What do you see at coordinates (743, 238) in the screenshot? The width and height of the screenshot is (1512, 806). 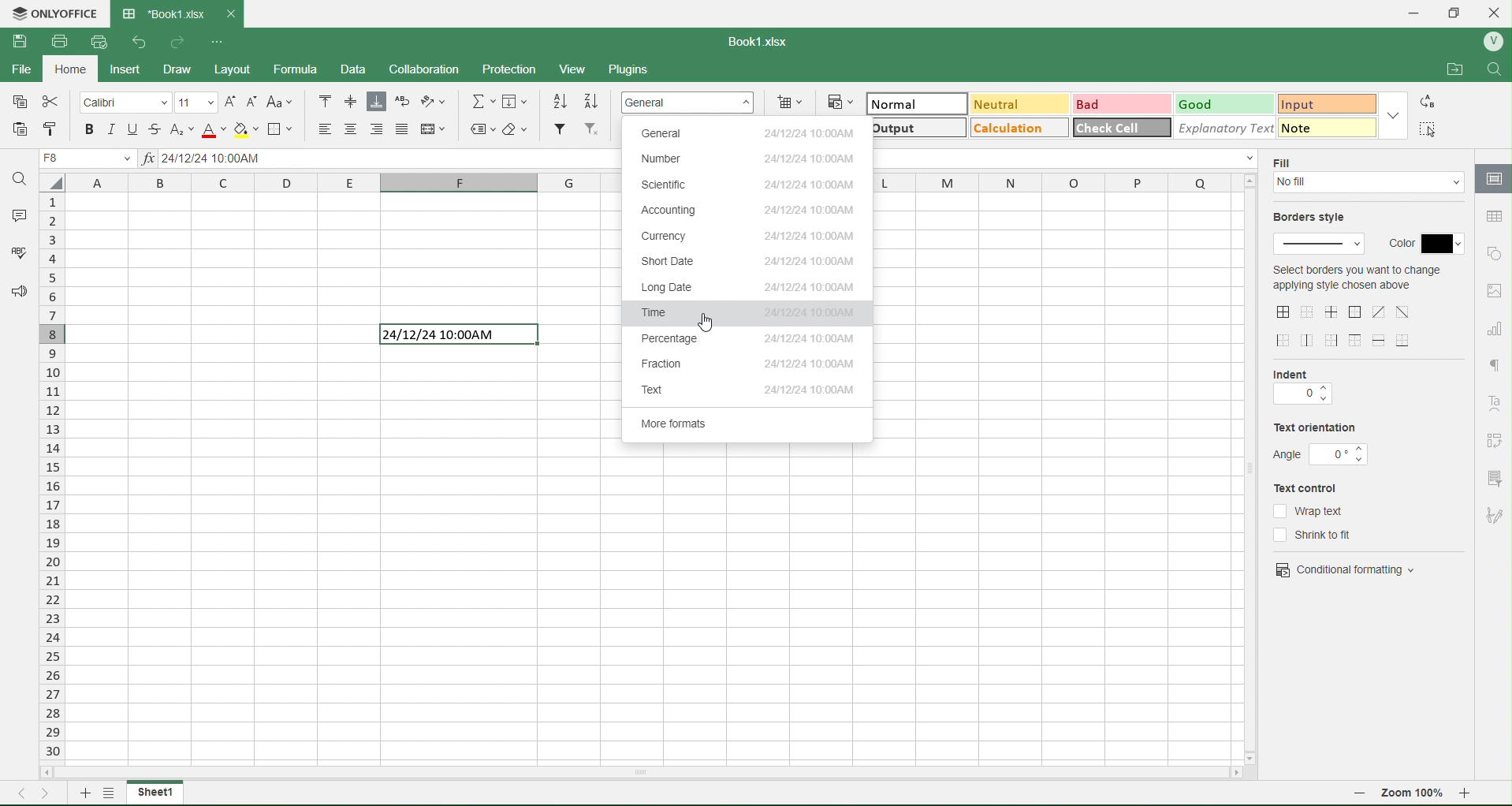 I see `Currency` at bounding box center [743, 238].